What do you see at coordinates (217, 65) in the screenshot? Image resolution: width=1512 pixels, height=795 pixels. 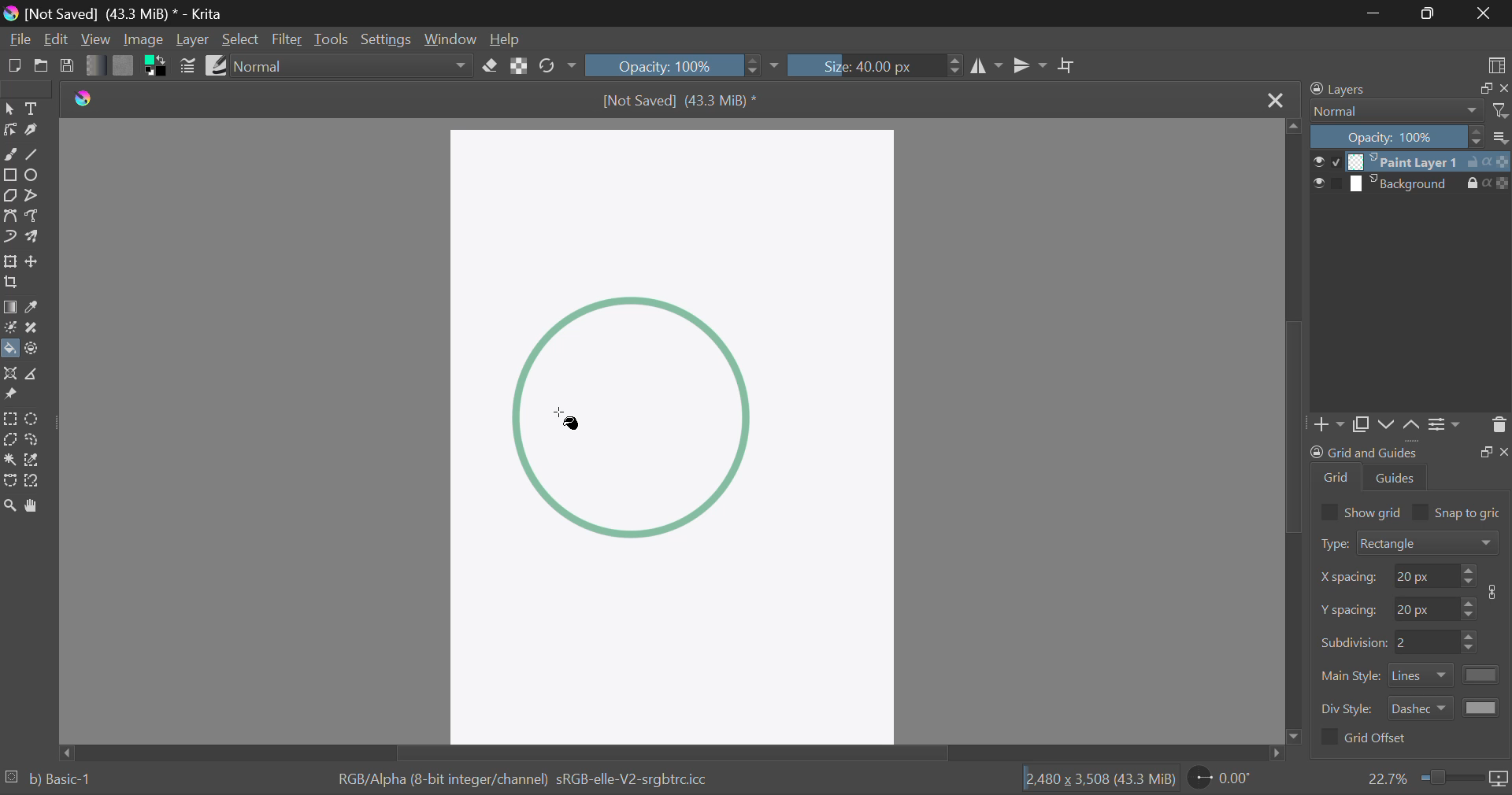 I see `Brush Presets` at bounding box center [217, 65].